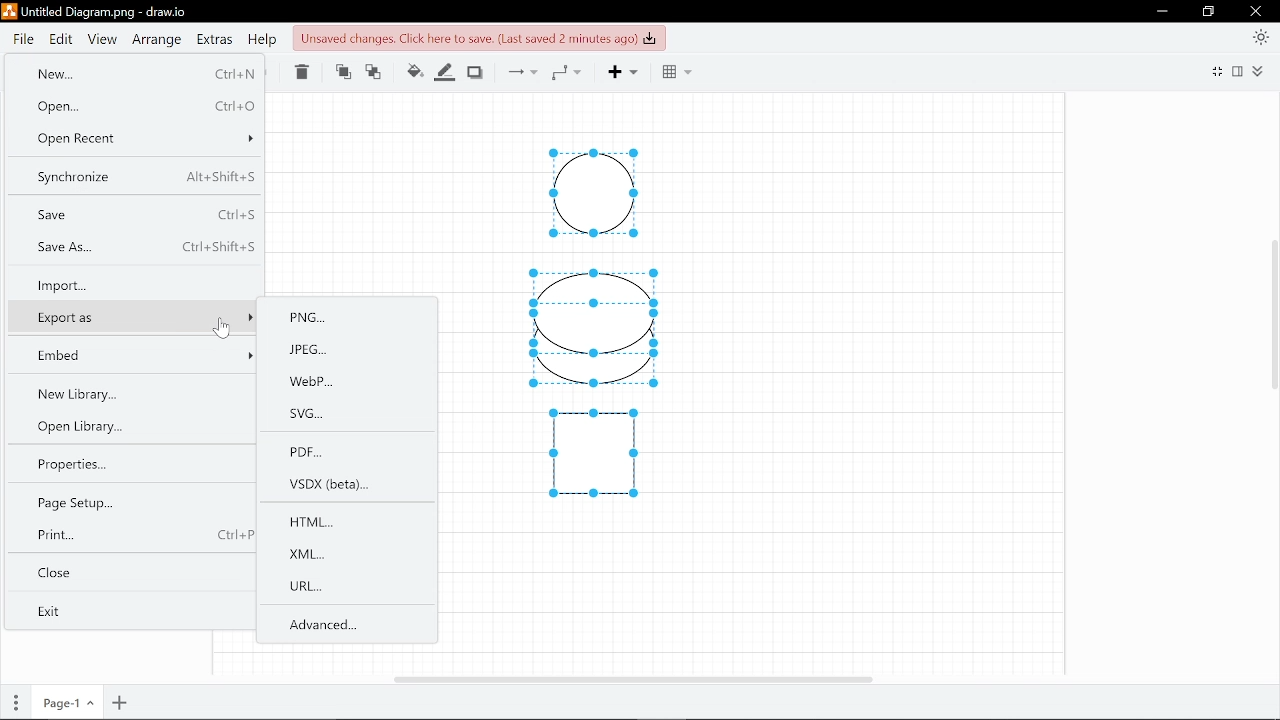  Describe the element at coordinates (97, 13) in the screenshot. I see `Current file - Untitled Diagram.png - draw.io` at that location.